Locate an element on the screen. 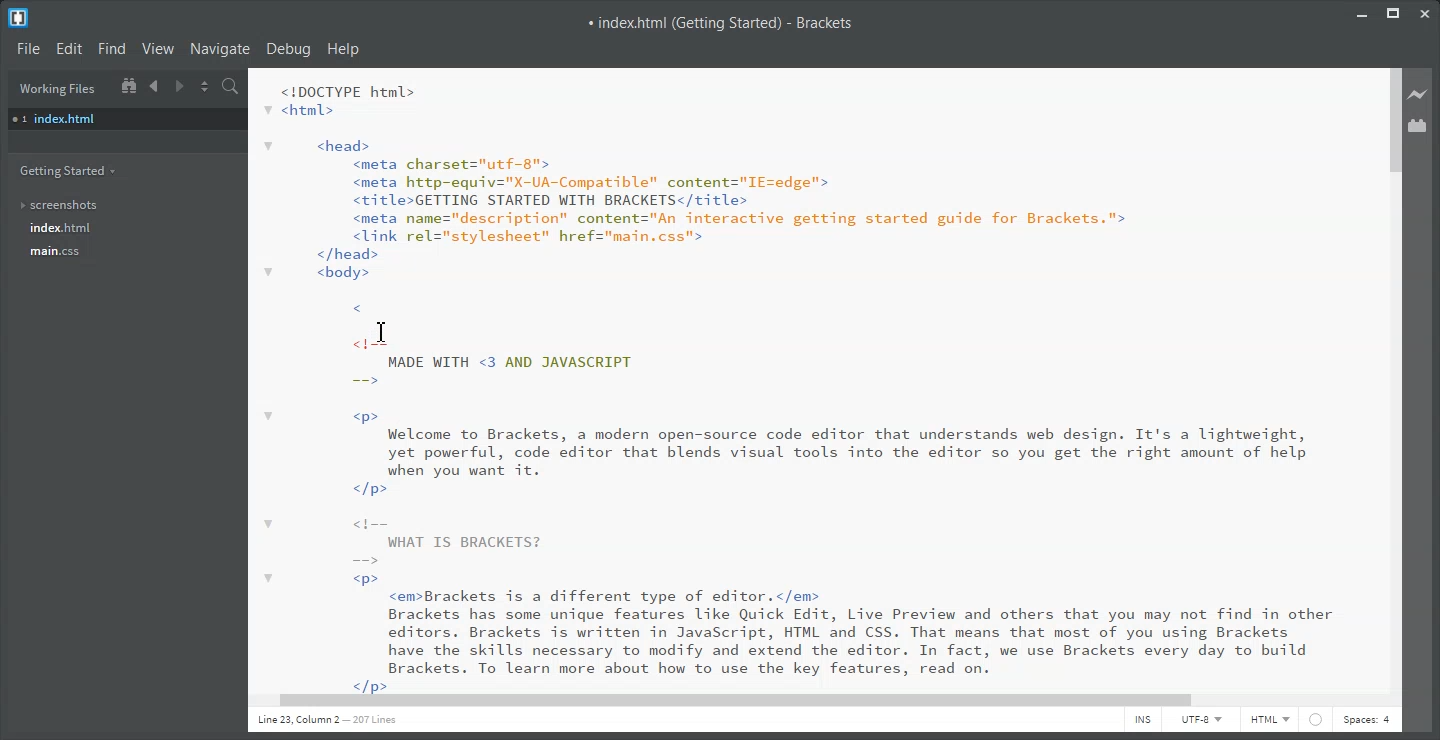 The height and width of the screenshot is (740, 1440). Navigate Backwards is located at coordinates (155, 86).